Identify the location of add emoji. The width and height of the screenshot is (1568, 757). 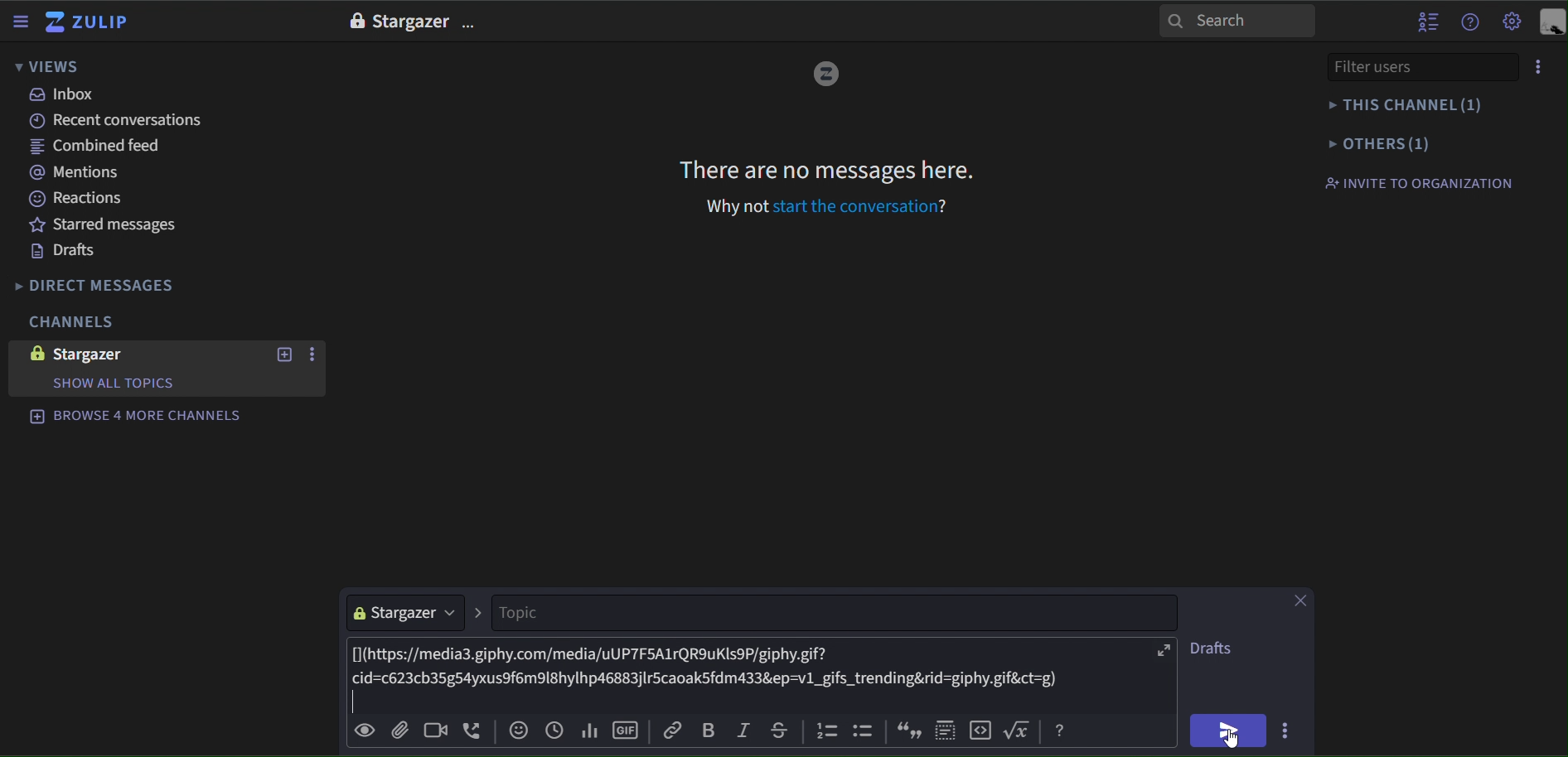
(519, 730).